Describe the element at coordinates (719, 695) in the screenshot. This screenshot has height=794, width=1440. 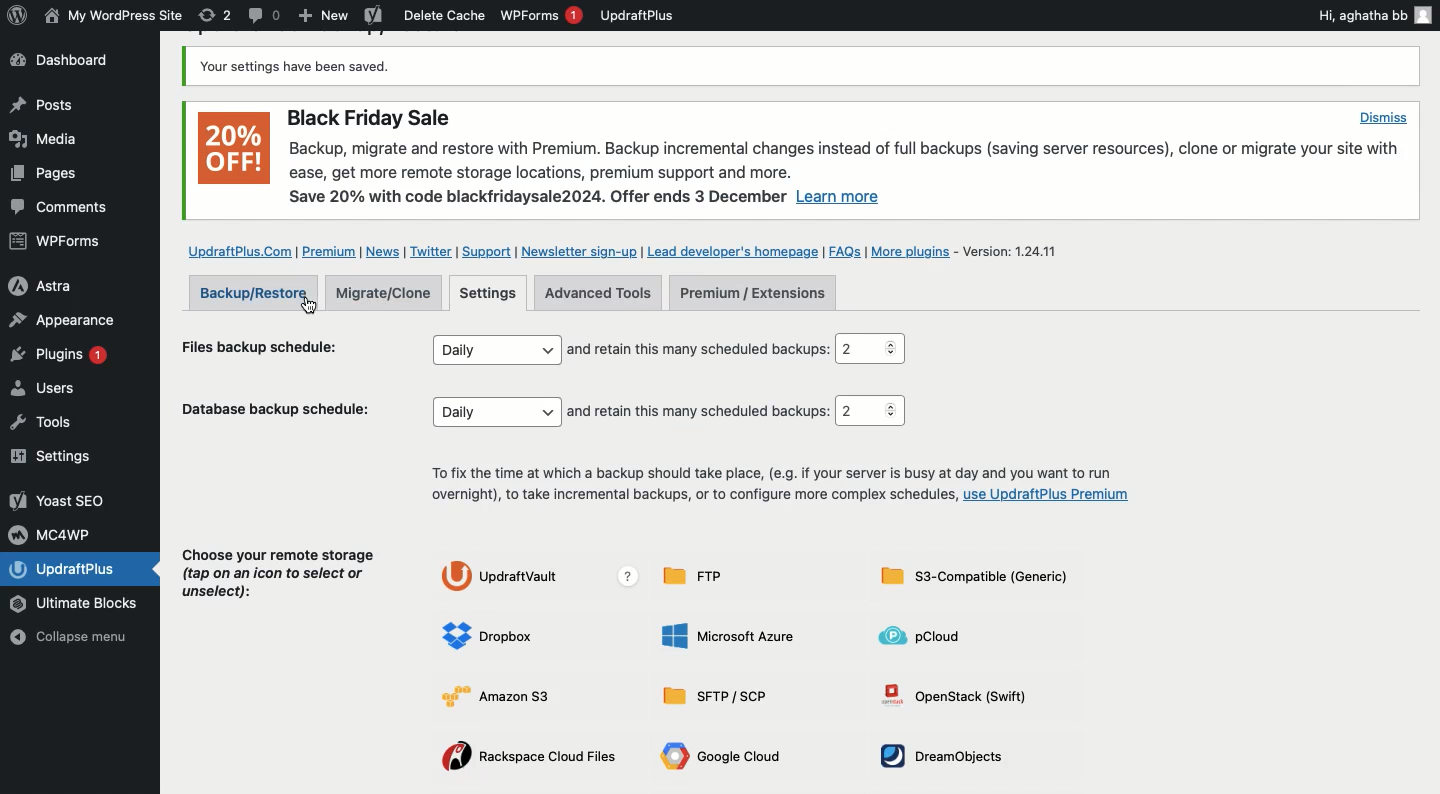
I see `SFTP/SCP` at that location.